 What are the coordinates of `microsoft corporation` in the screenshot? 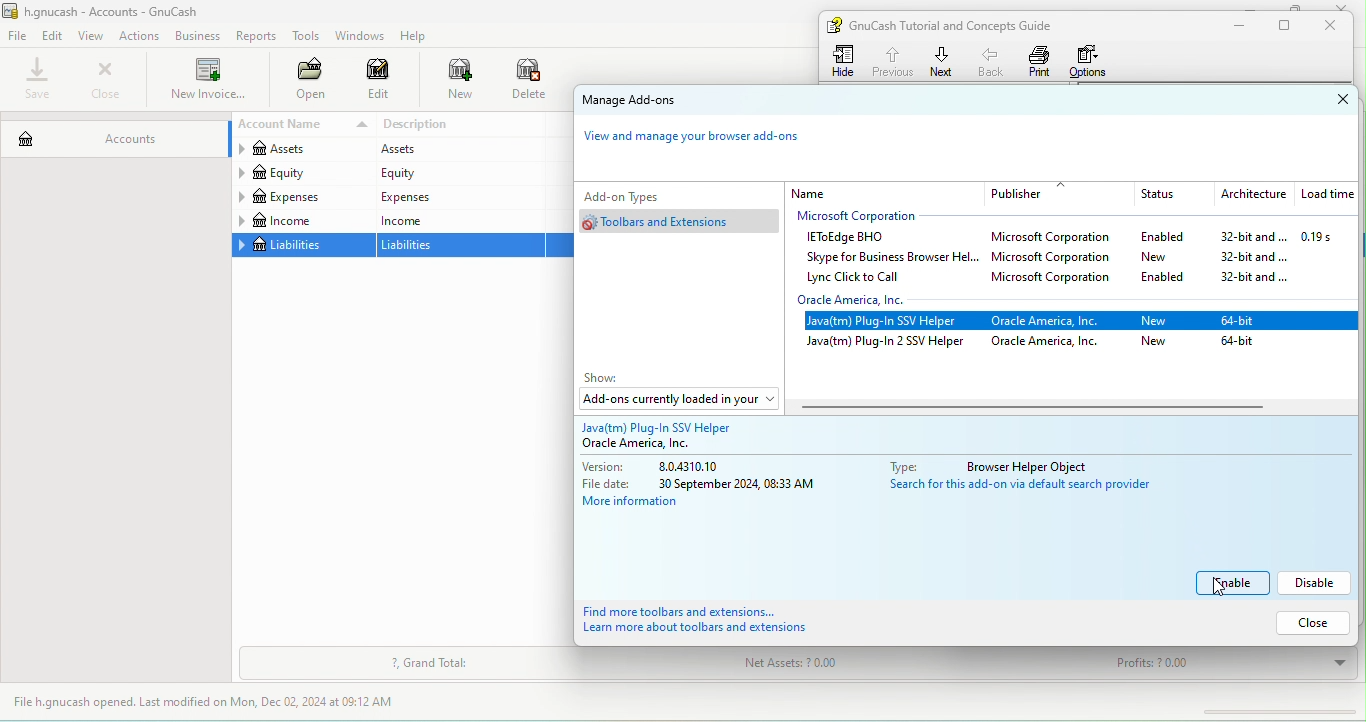 It's located at (869, 217).